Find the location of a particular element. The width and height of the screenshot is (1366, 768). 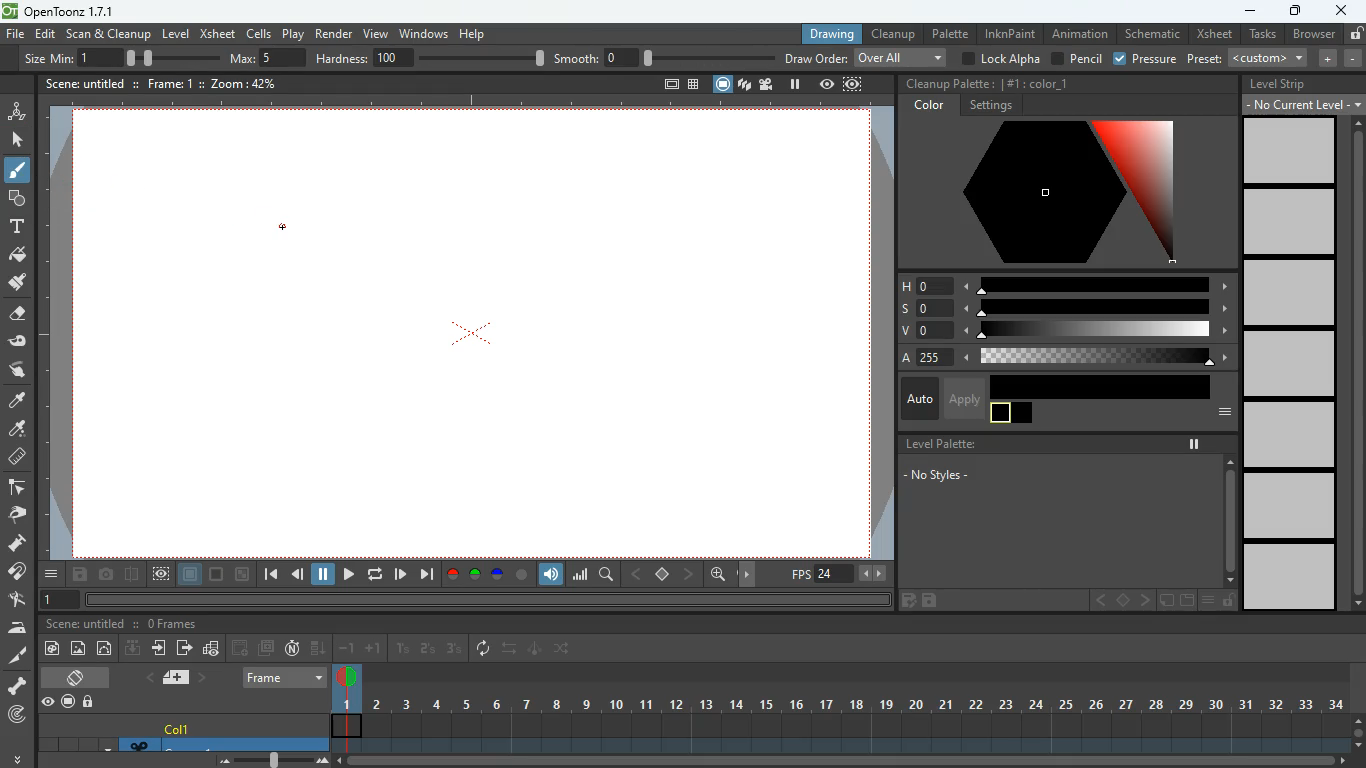

end is located at coordinates (426, 574).